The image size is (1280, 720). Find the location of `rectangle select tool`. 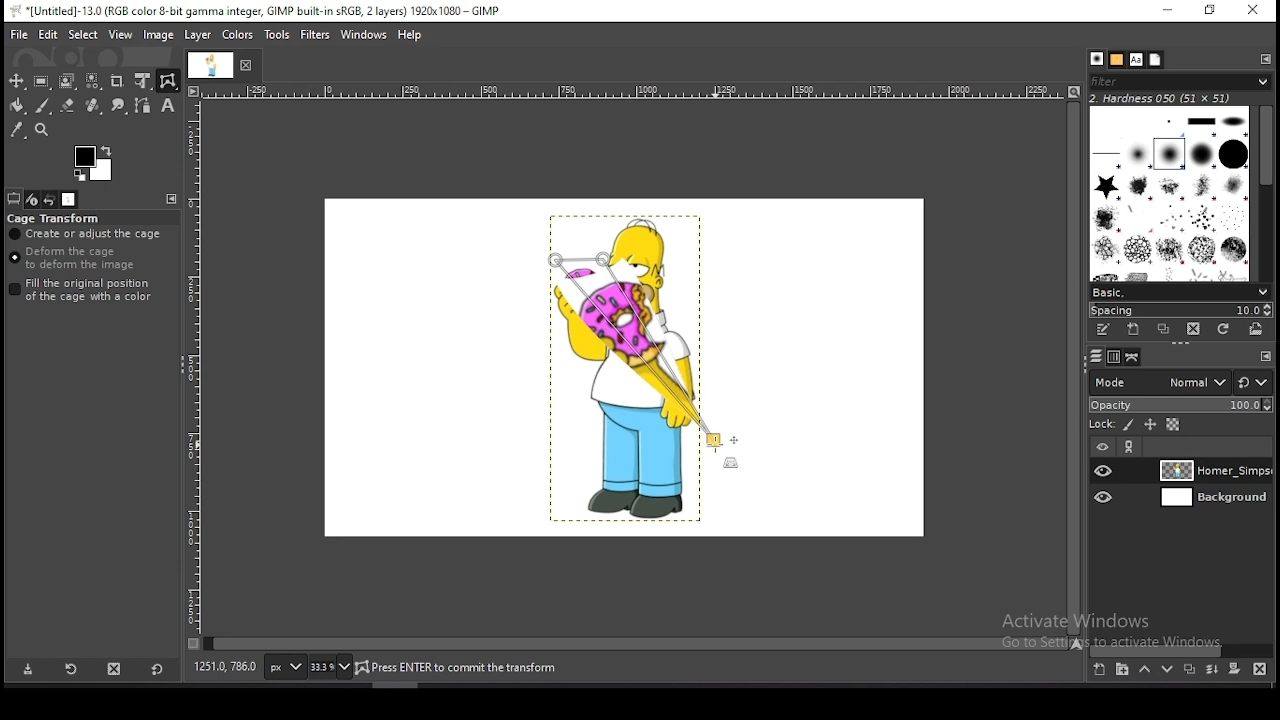

rectangle select tool is located at coordinates (42, 81).